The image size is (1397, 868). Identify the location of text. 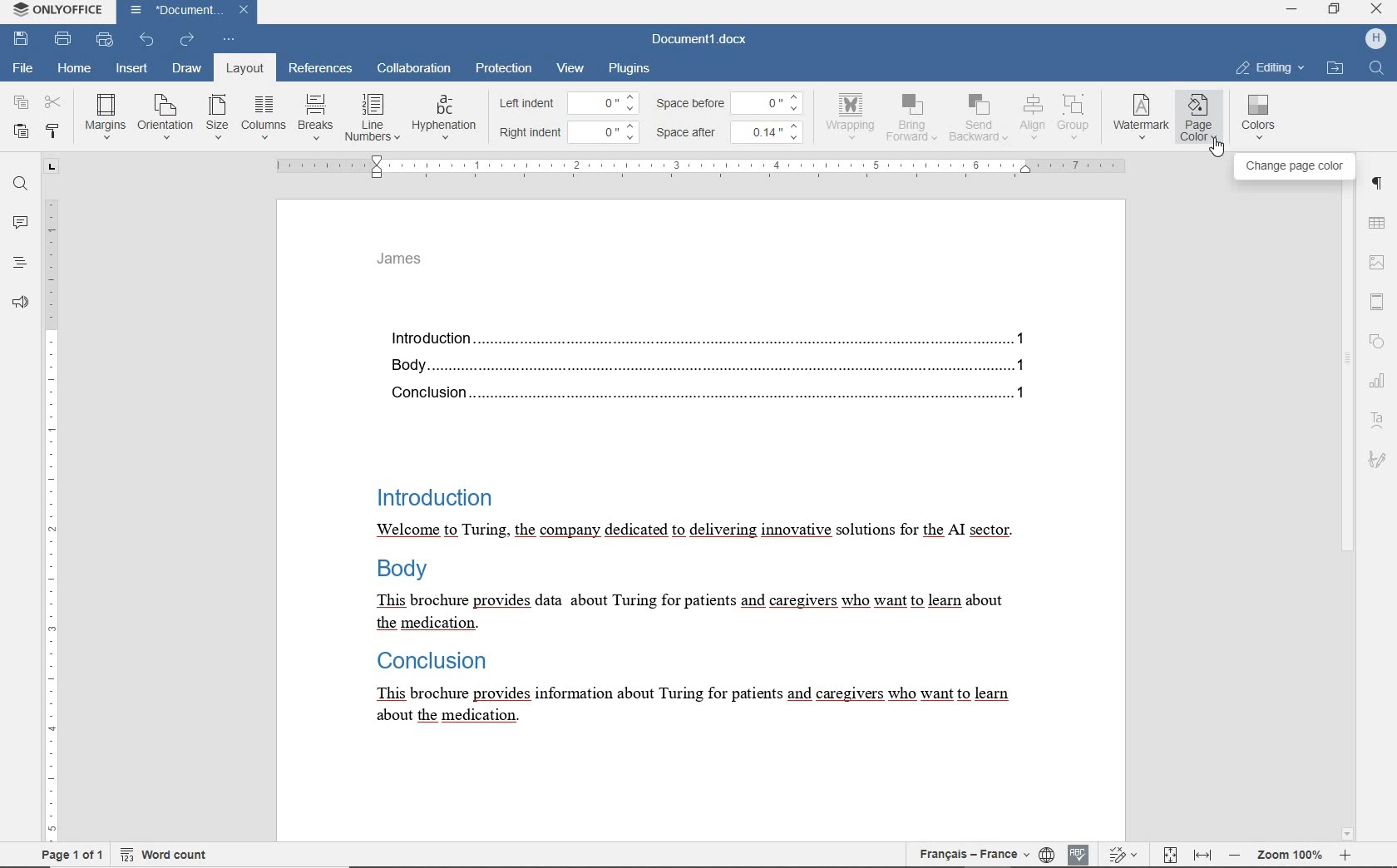
(718, 530).